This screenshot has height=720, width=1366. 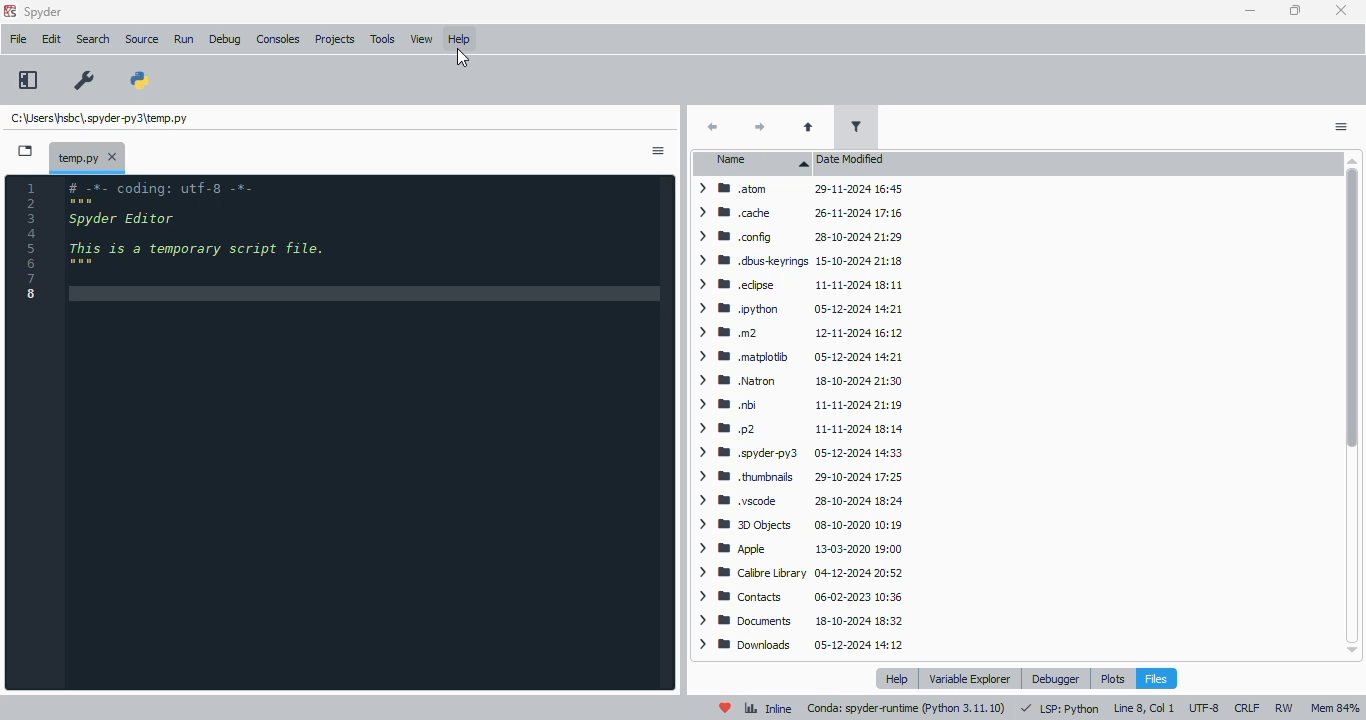 I want to click on run, so click(x=183, y=40).